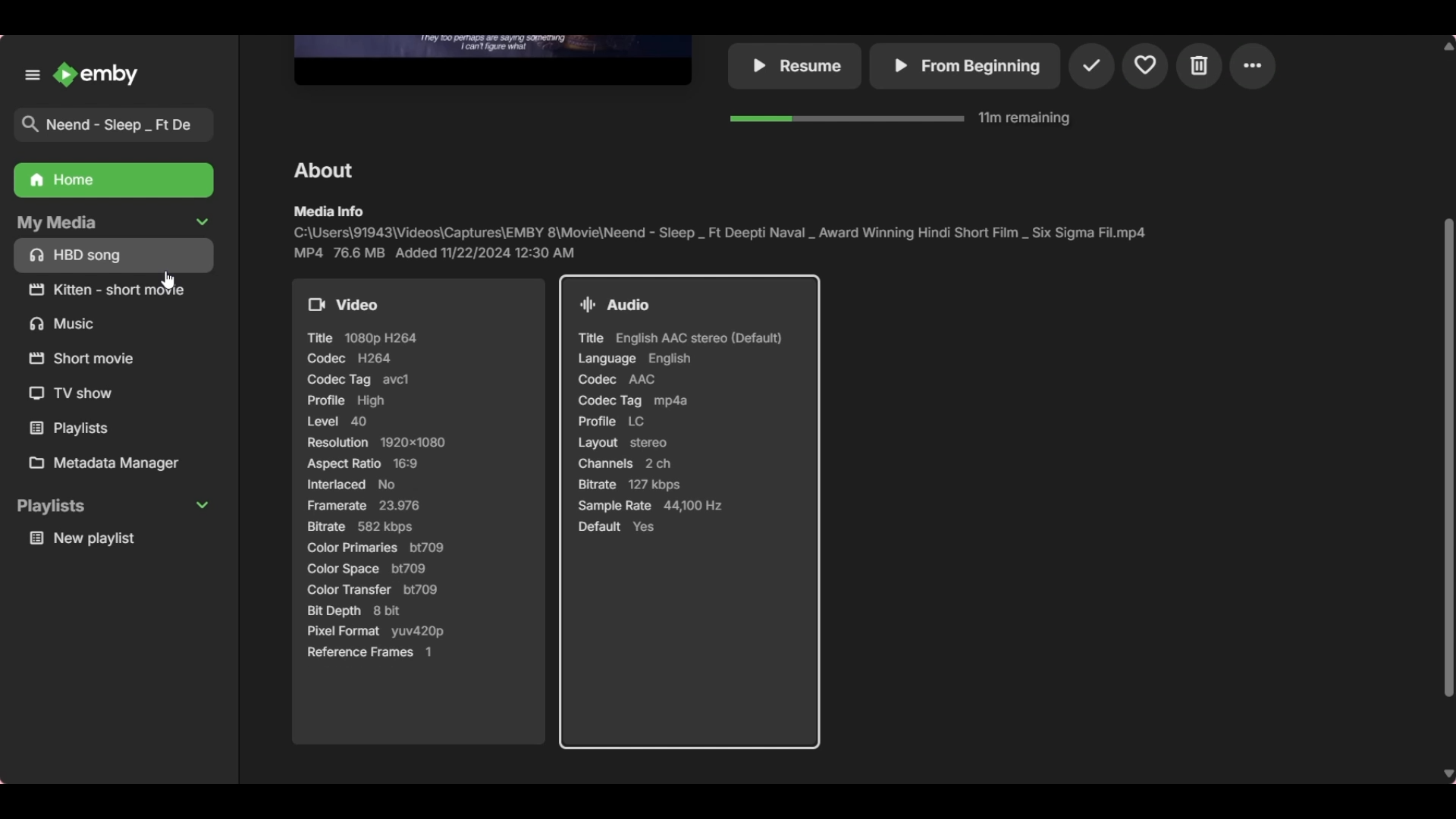  What do you see at coordinates (168, 280) in the screenshot?
I see `Cursor position unchanged after clicking on selected search result` at bounding box center [168, 280].